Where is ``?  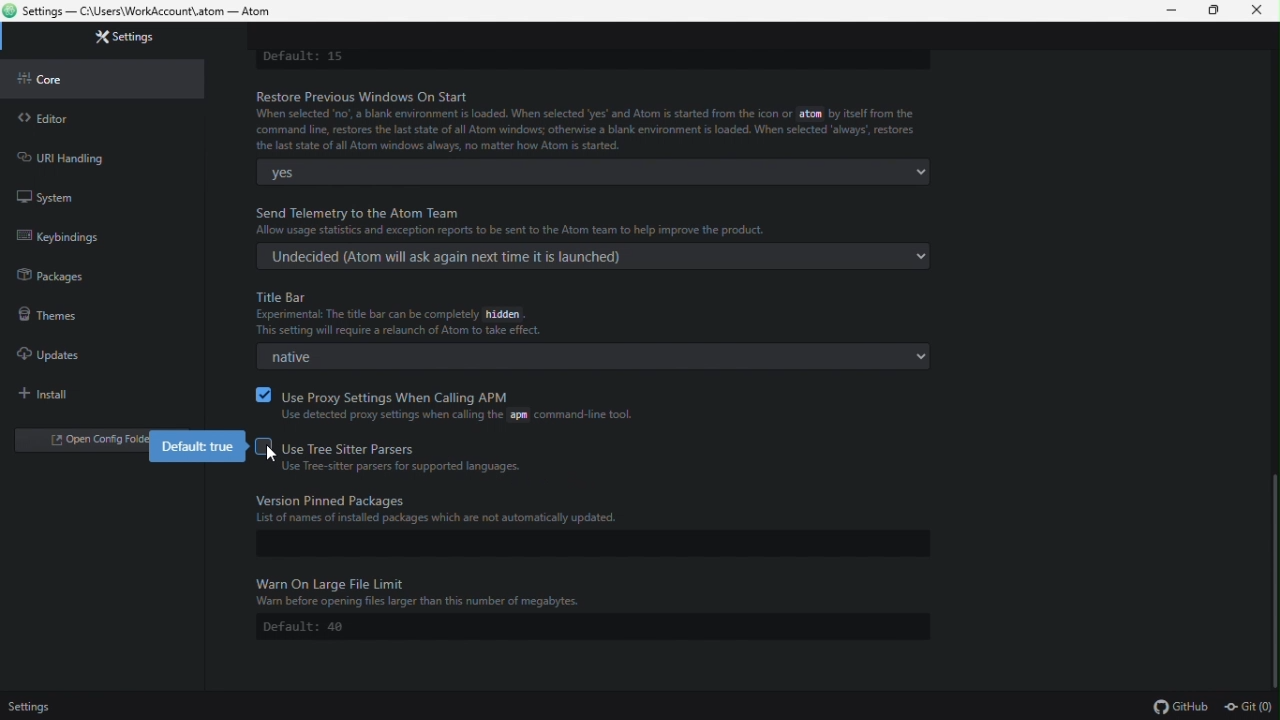  is located at coordinates (271, 454).